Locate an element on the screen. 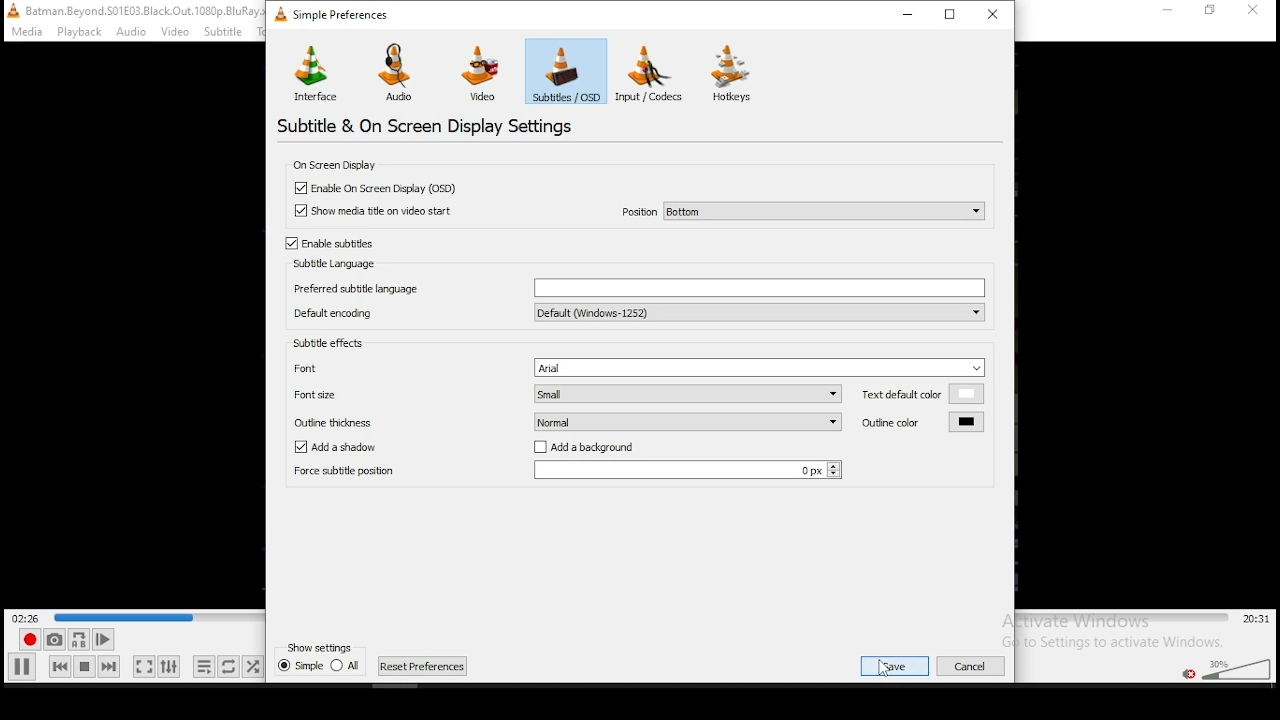  text default color is located at coordinates (923, 393).